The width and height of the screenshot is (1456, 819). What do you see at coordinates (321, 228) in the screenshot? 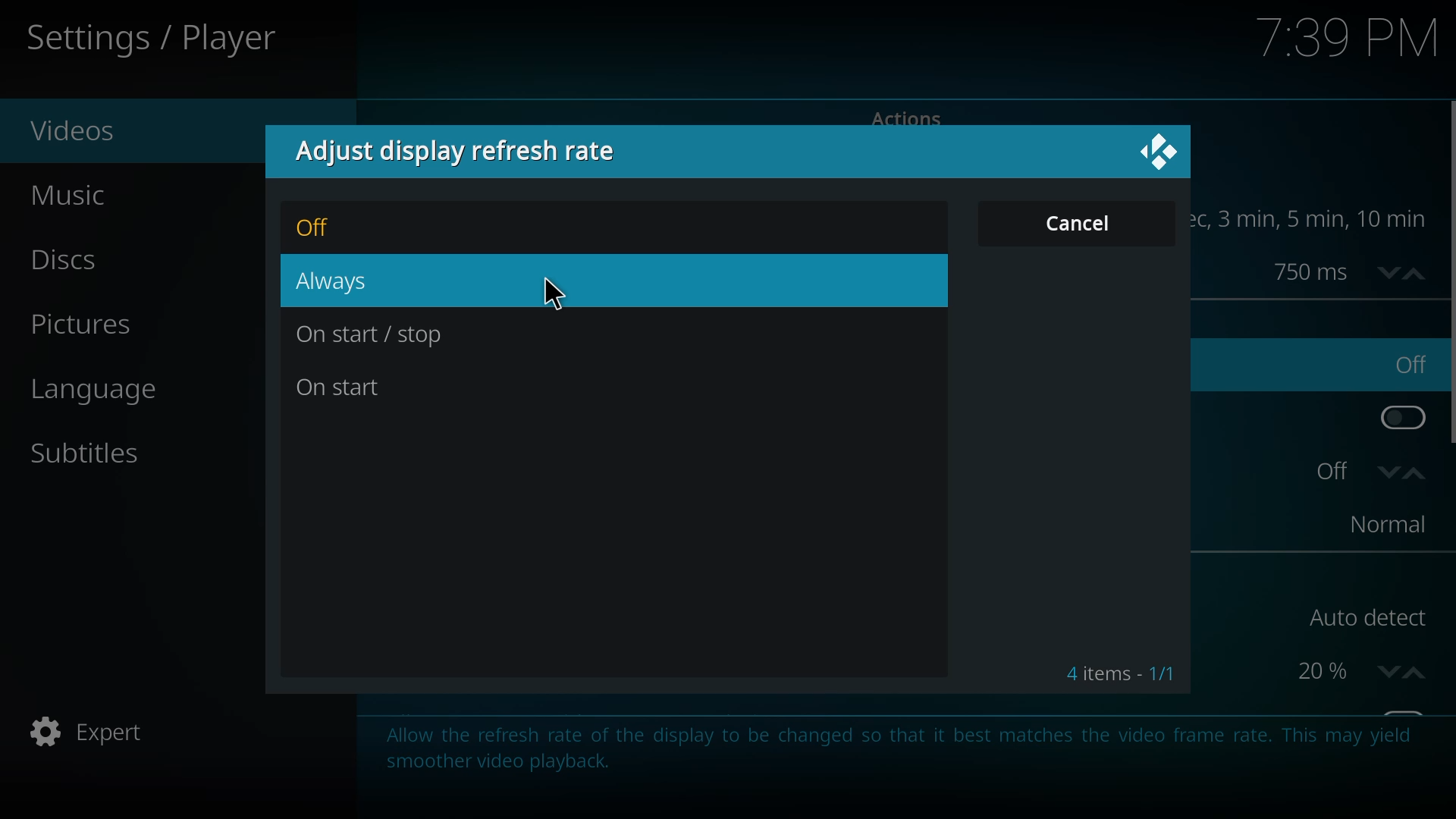
I see `off` at bounding box center [321, 228].